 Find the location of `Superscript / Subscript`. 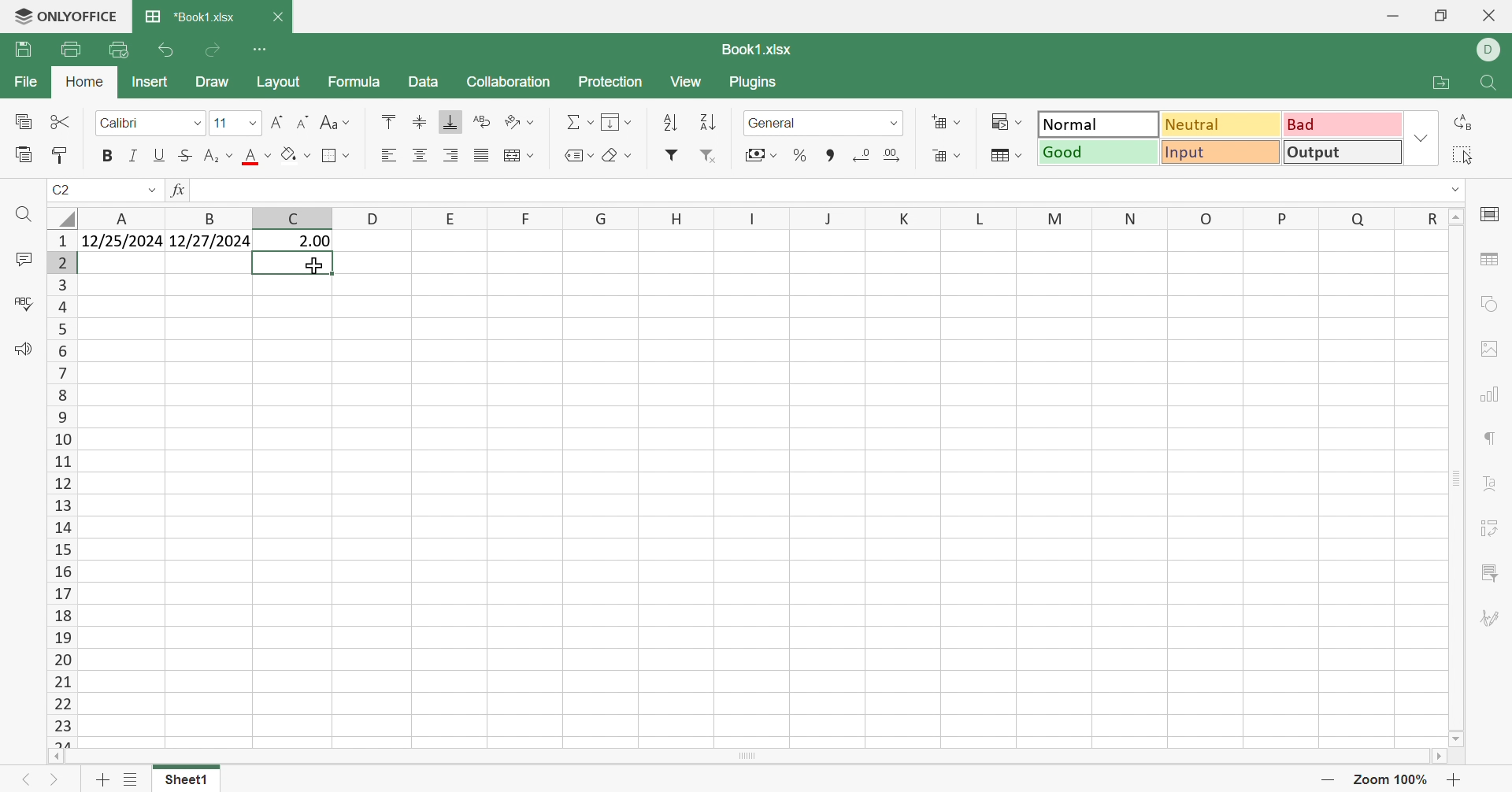

Superscript / Subscript is located at coordinates (219, 155).